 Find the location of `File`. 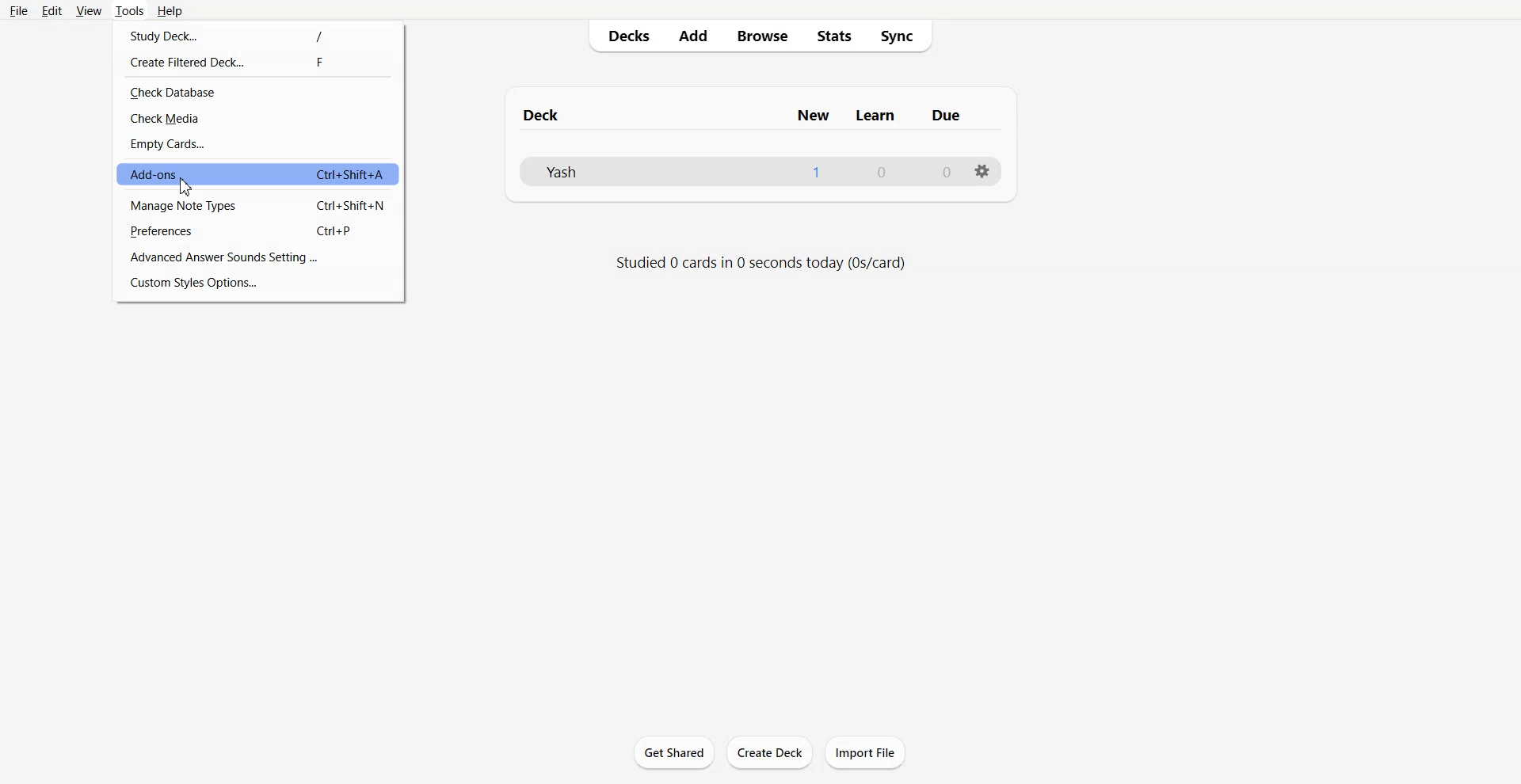

File is located at coordinates (19, 11).